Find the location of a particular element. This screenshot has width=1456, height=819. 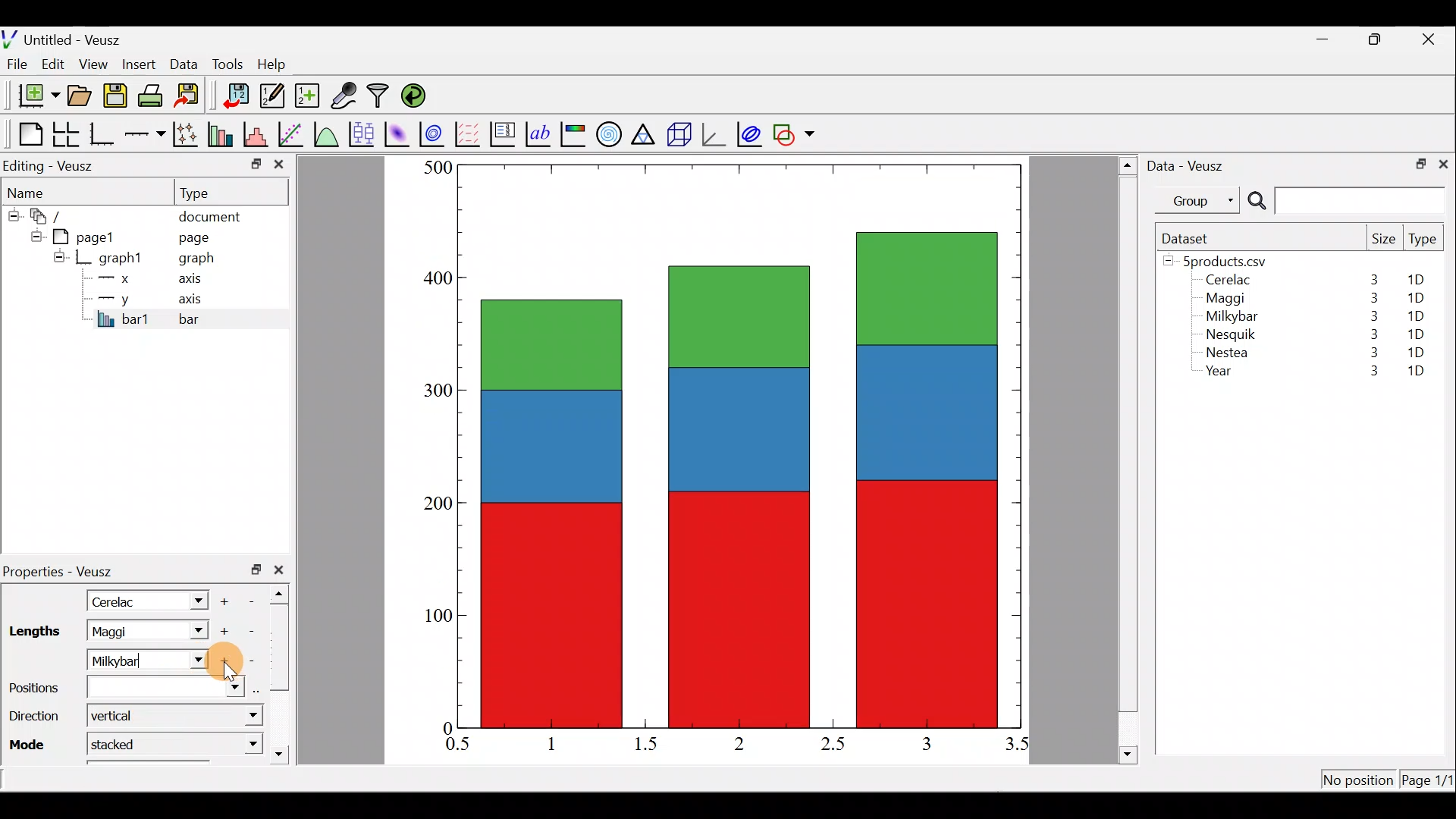

Histogram of a dataset is located at coordinates (260, 135).